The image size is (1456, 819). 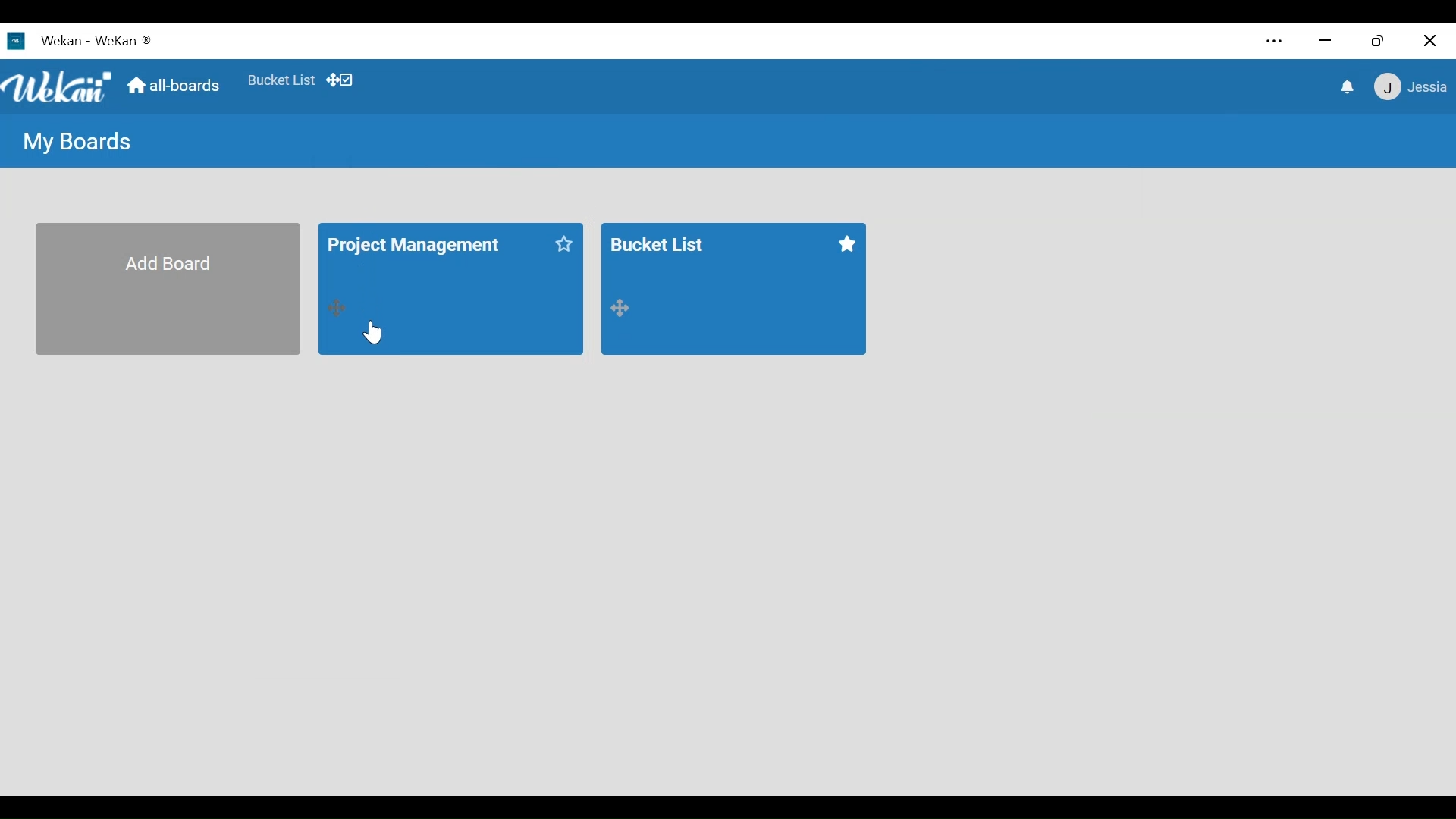 What do you see at coordinates (340, 307) in the screenshot?
I see `action` at bounding box center [340, 307].